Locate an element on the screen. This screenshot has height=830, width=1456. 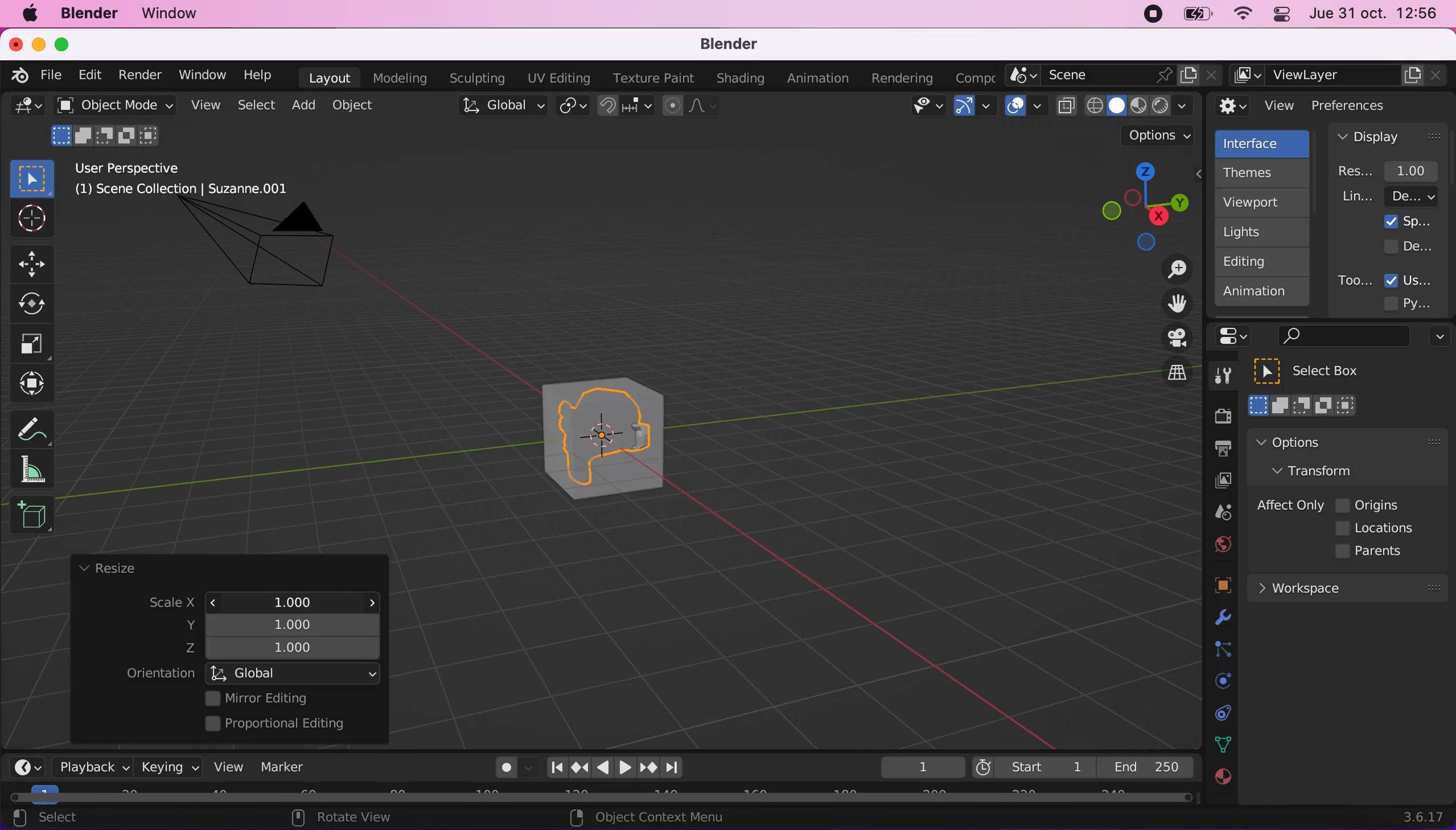
mac logo is located at coordinates (29, 15).